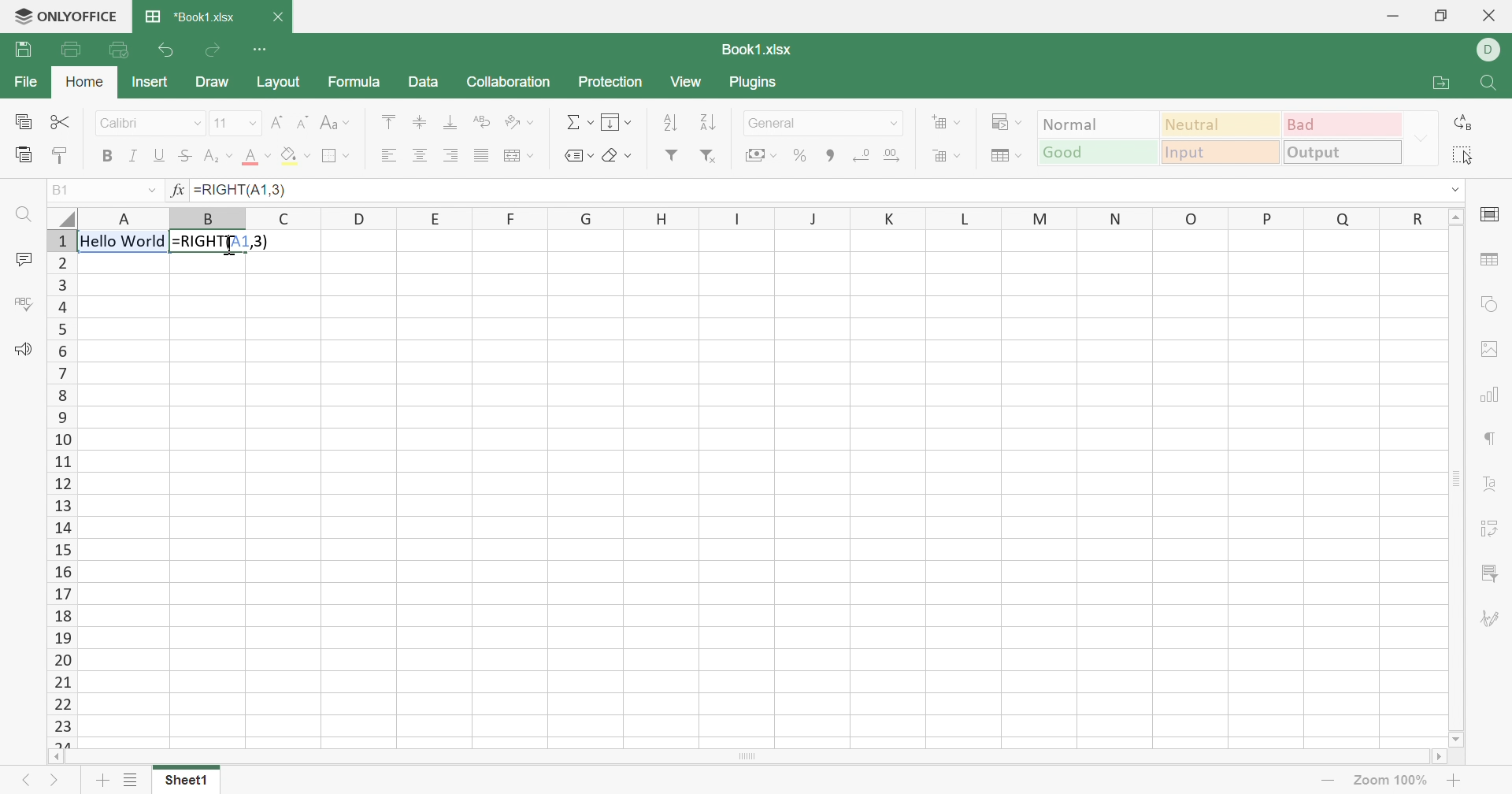  What do you see at coordinates (184, 784) in the screenshot?
I see `Sheet1` at bounding box center [184, 784].